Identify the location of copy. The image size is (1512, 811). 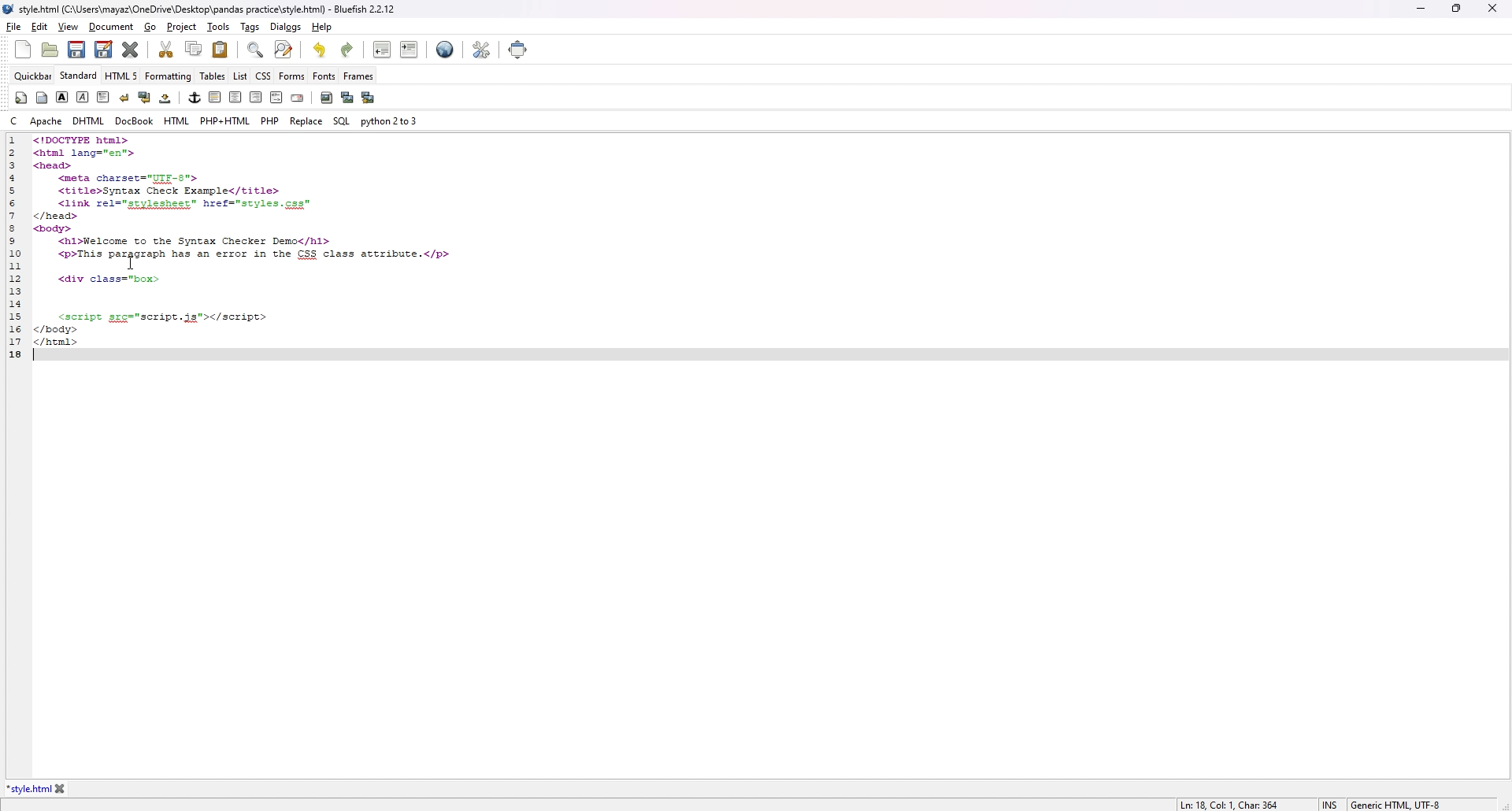
(193, 49).